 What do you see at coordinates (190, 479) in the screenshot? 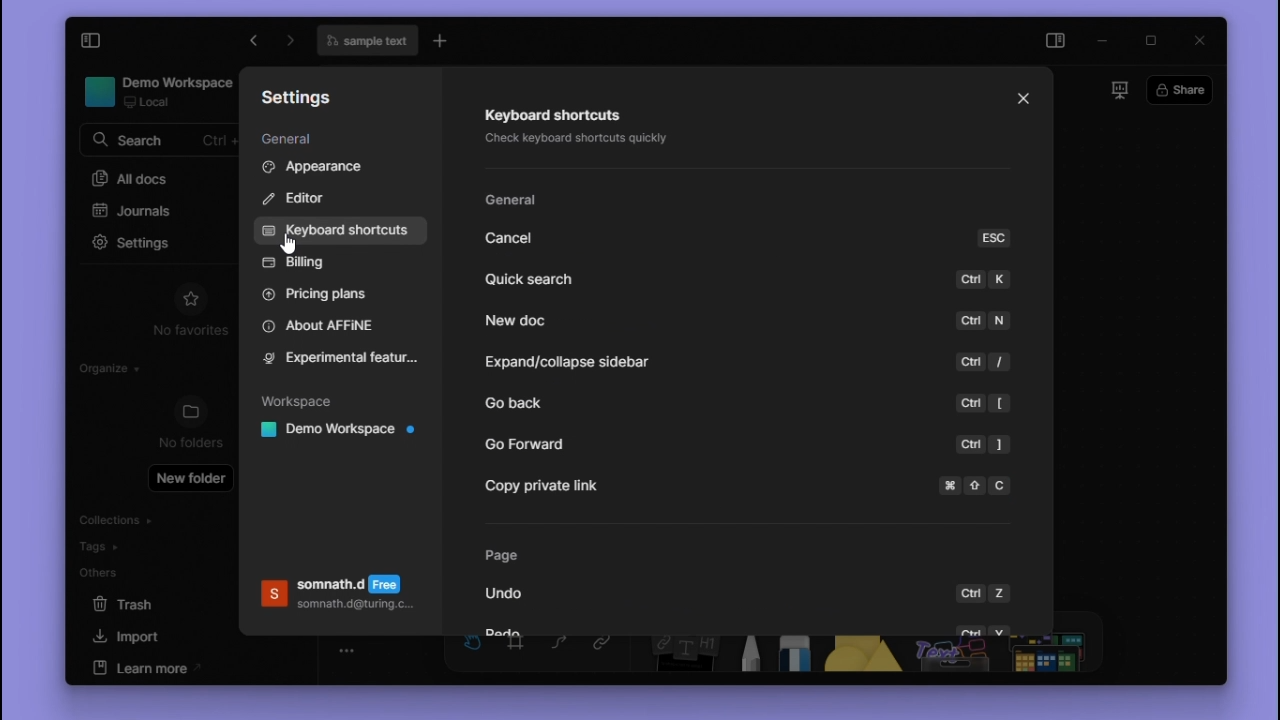
I see `new folder` at bounding box center [190, 479].